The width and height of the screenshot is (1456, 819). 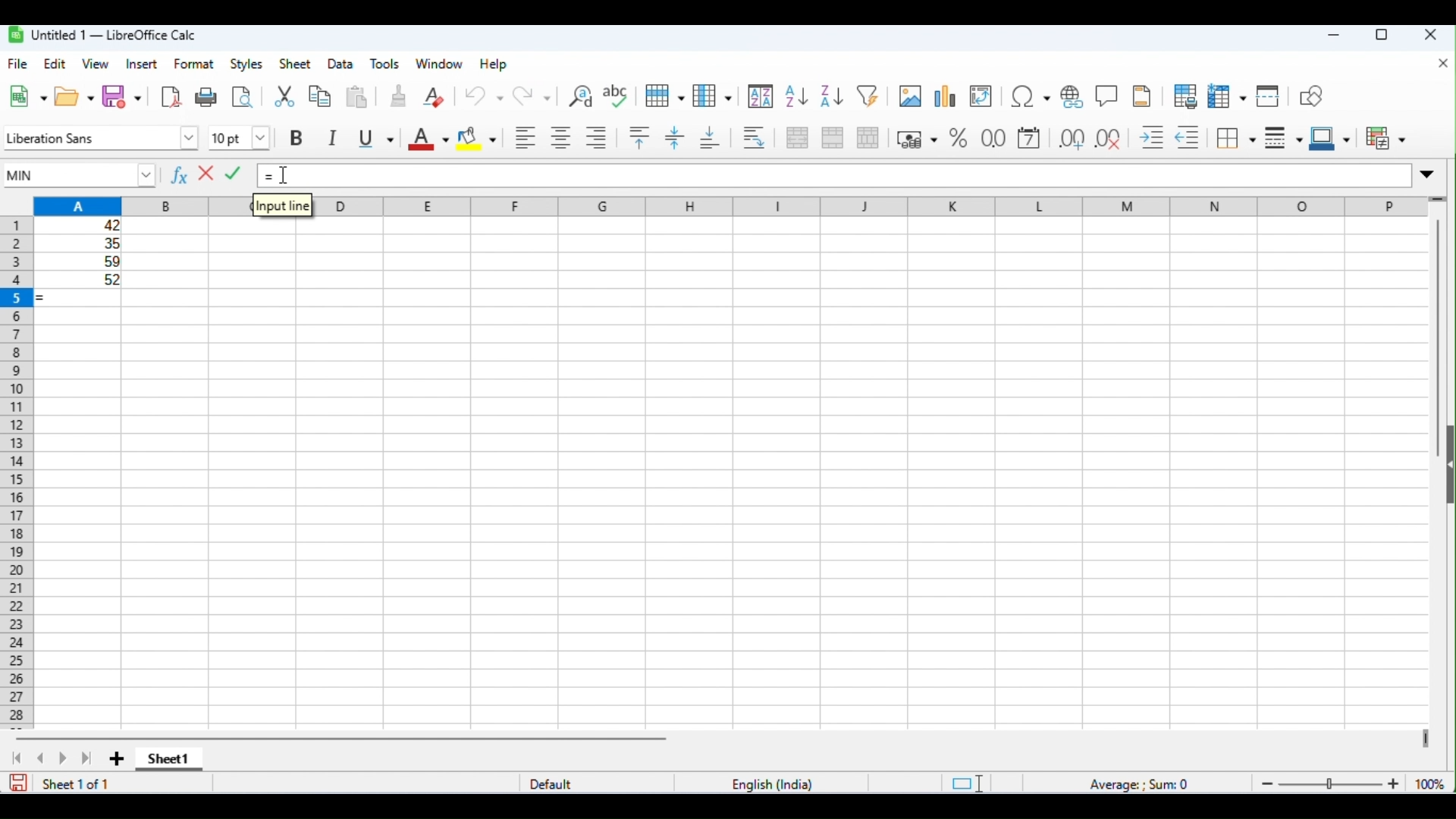 What do you see at coordinates (1225, 96) in the screenshot?
I see `freeze rows and columns` at bounding box center [1225, 96].